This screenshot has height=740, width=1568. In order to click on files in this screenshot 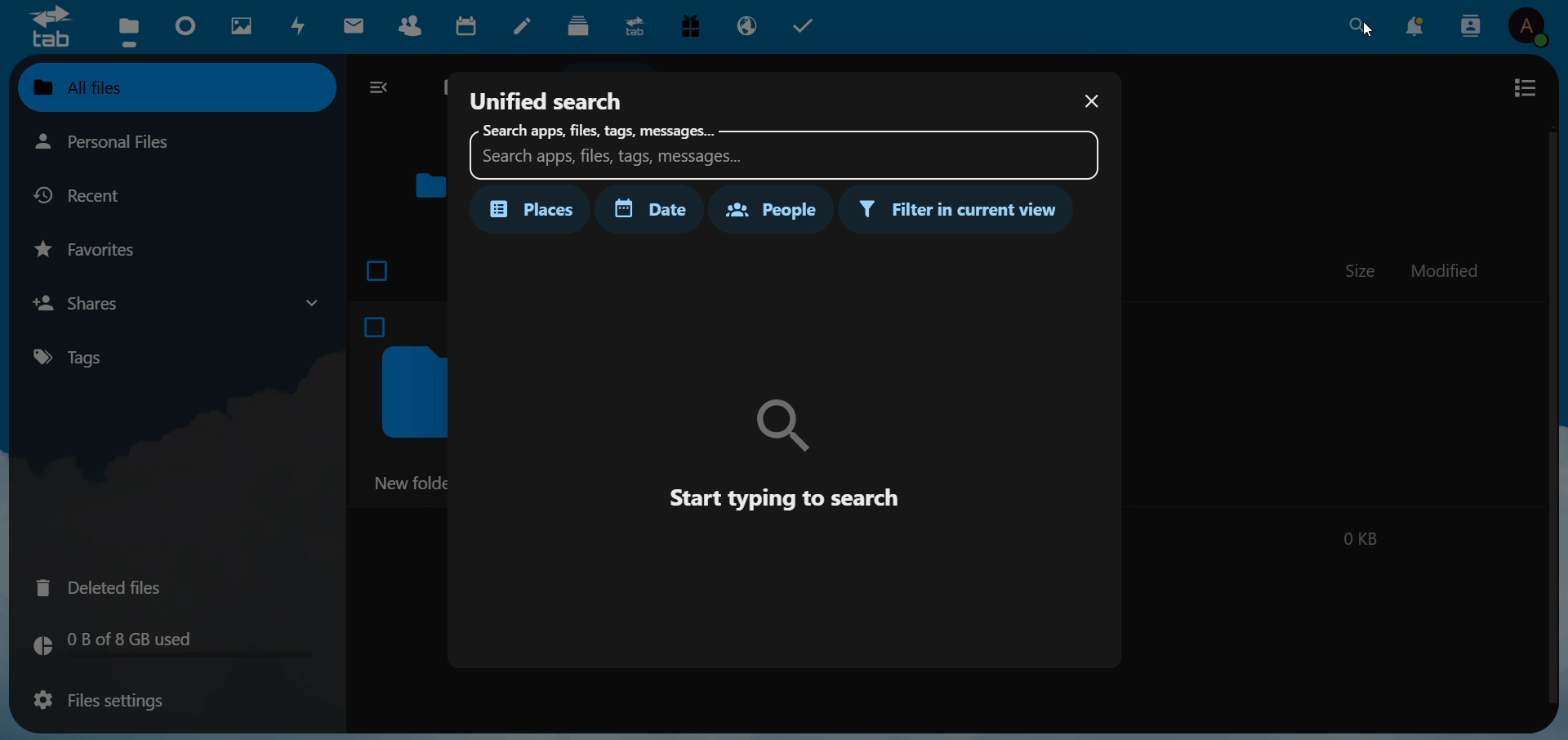, I will do `click(127, 30)`.